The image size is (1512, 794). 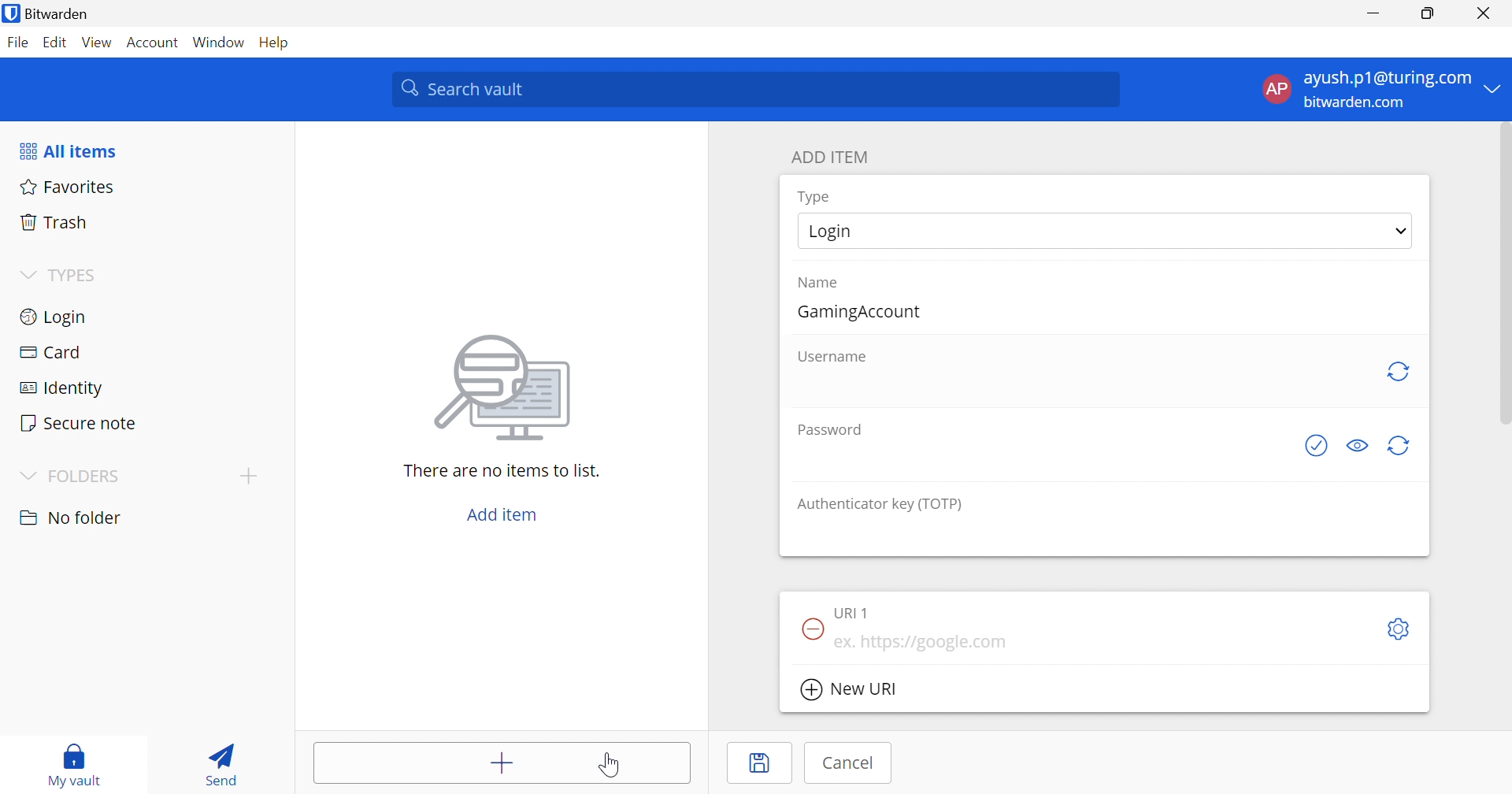 I want to click on AP, so click(x=1277, y=88).